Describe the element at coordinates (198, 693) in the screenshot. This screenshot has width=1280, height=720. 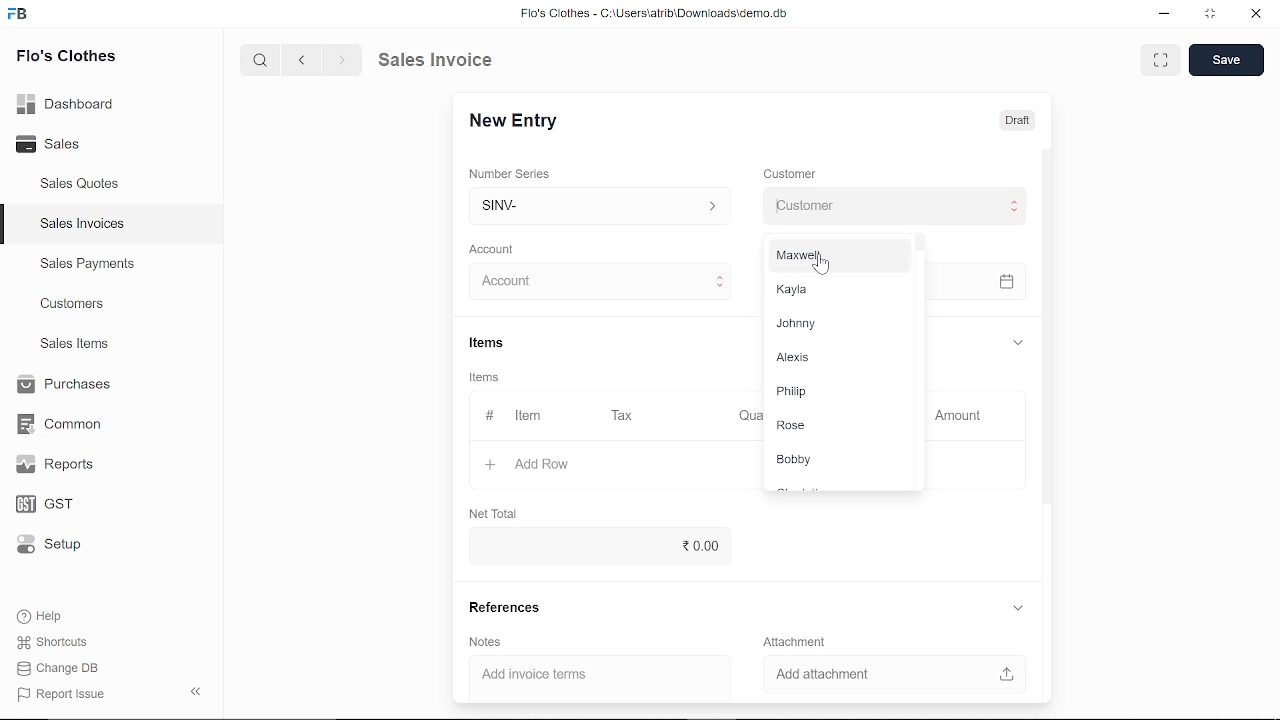
I see `collapse` at that location.